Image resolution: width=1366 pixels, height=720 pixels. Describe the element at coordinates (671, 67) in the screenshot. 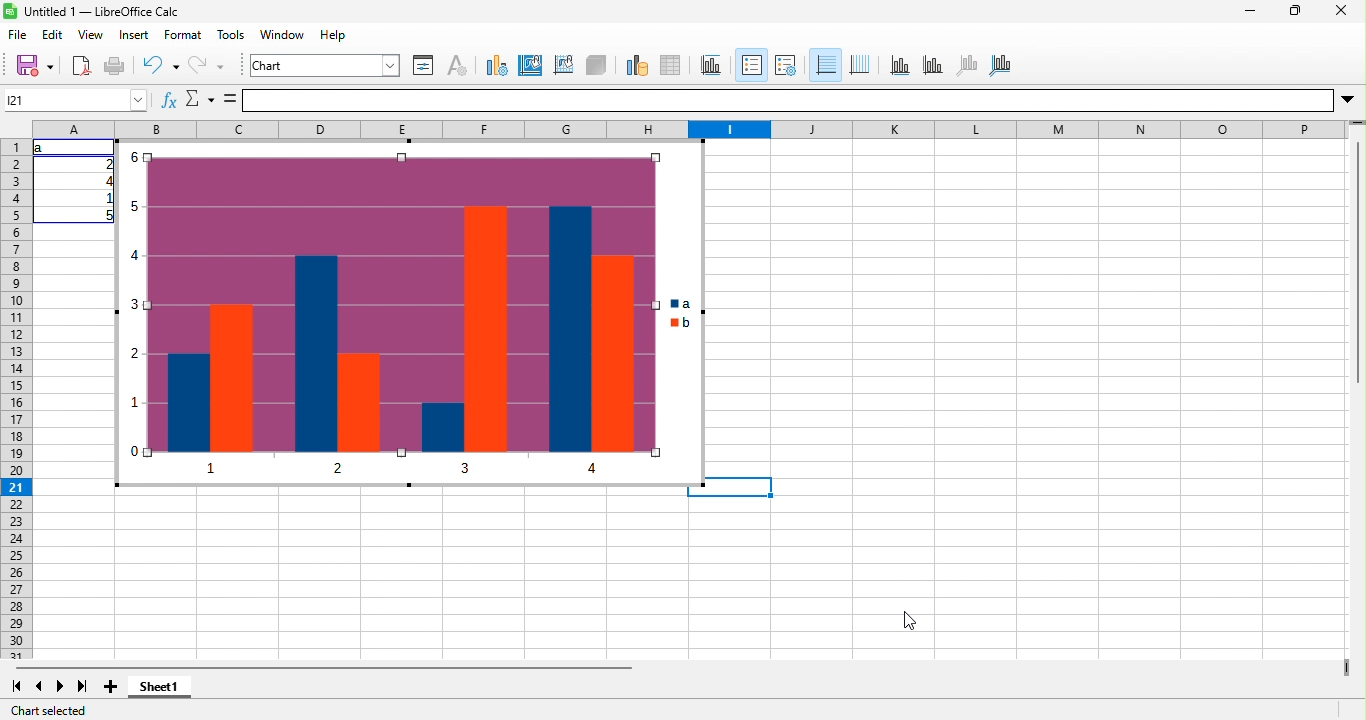

I see `data table` at that location.